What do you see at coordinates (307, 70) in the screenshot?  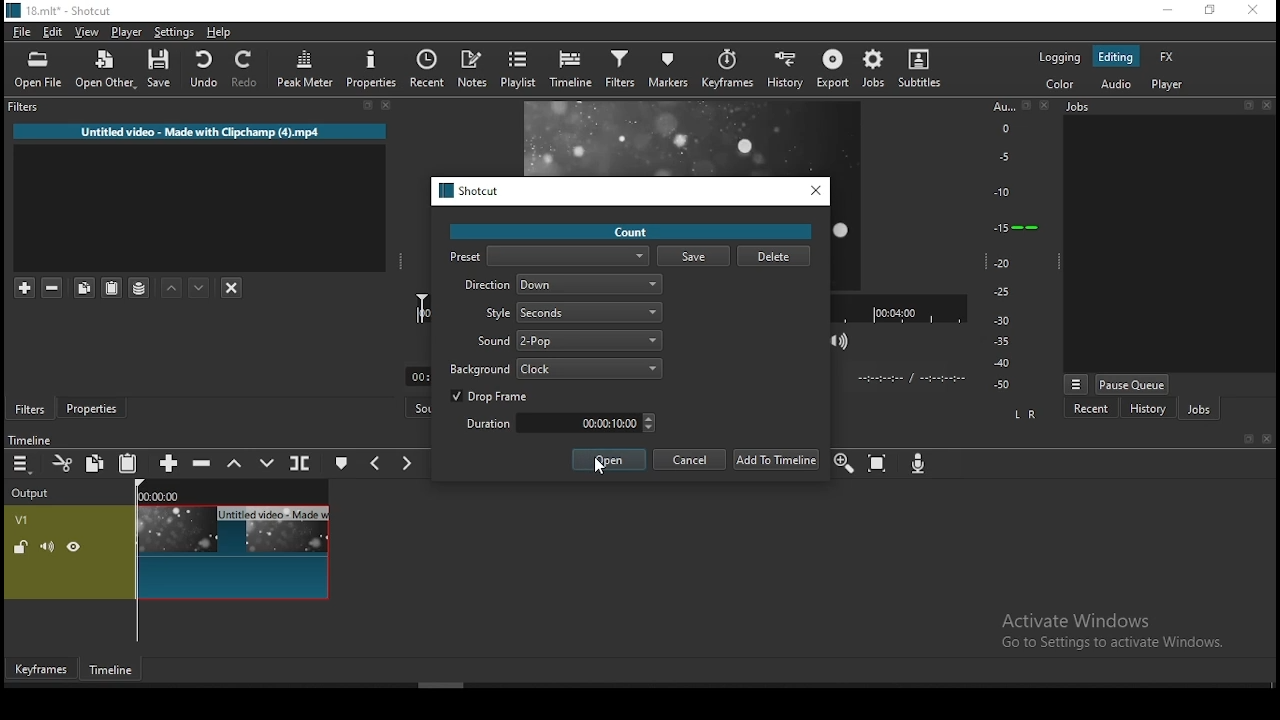 I see `peak meter` at bounding box center [307, 70].